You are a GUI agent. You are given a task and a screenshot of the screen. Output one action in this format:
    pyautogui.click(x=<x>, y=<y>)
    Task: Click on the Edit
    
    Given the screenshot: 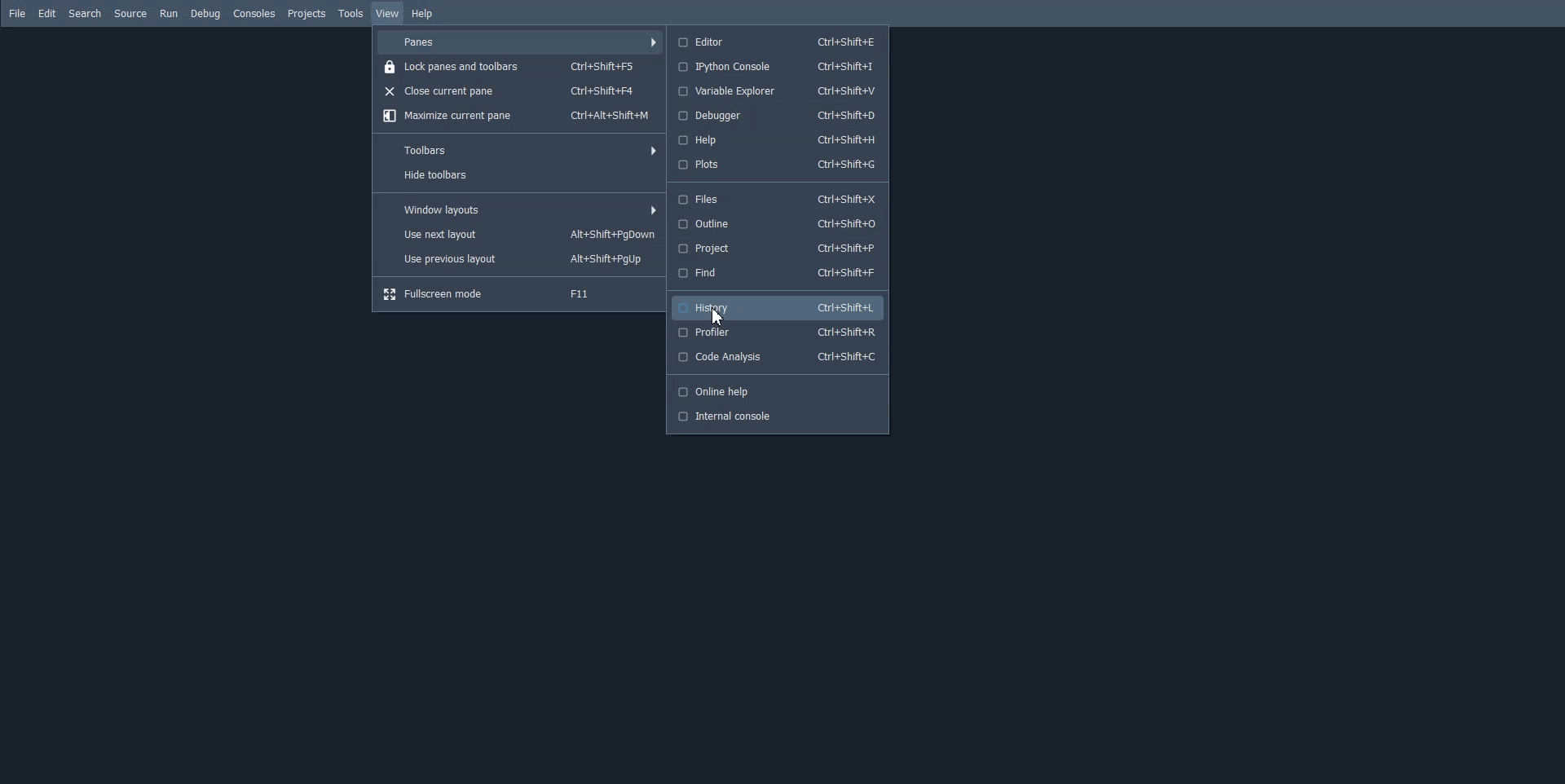 What is the action you would take?
    pyautogui.click(x=47, y=13)
    